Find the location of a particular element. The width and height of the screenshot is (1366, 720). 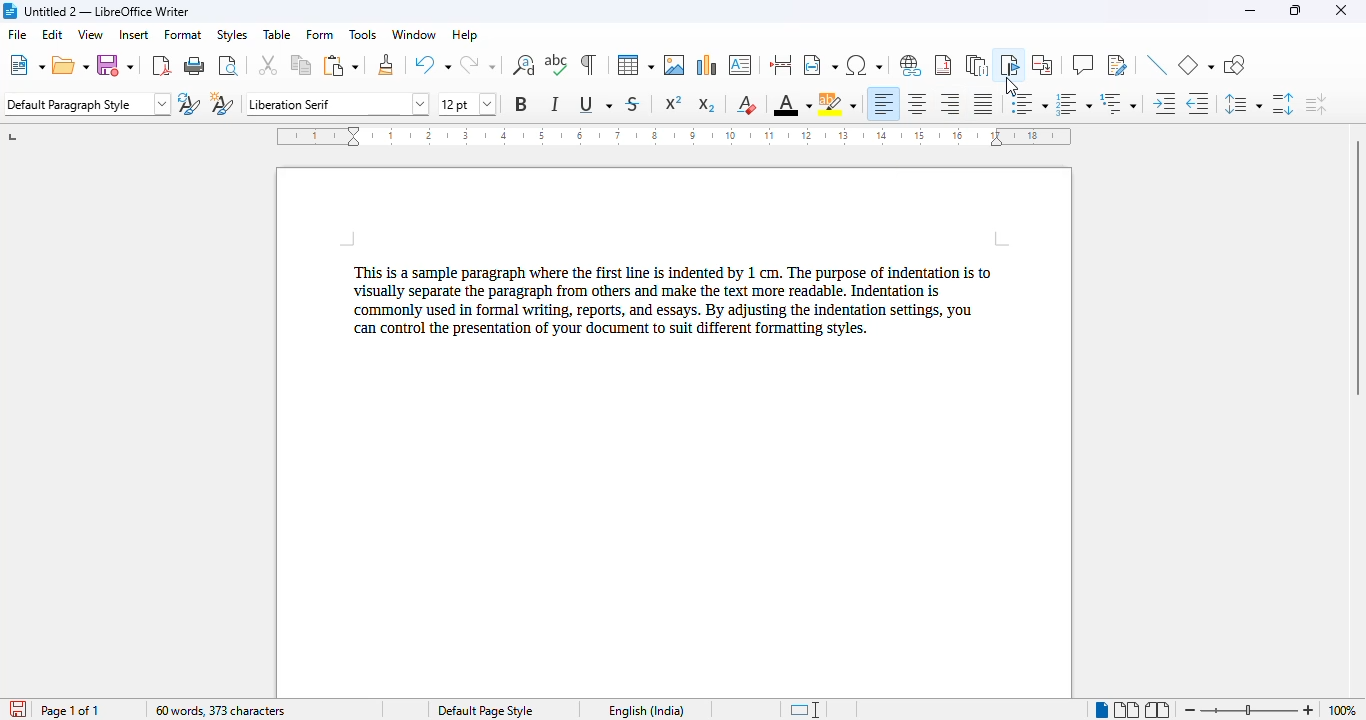

update selected style is located at coordinates (189, 103).